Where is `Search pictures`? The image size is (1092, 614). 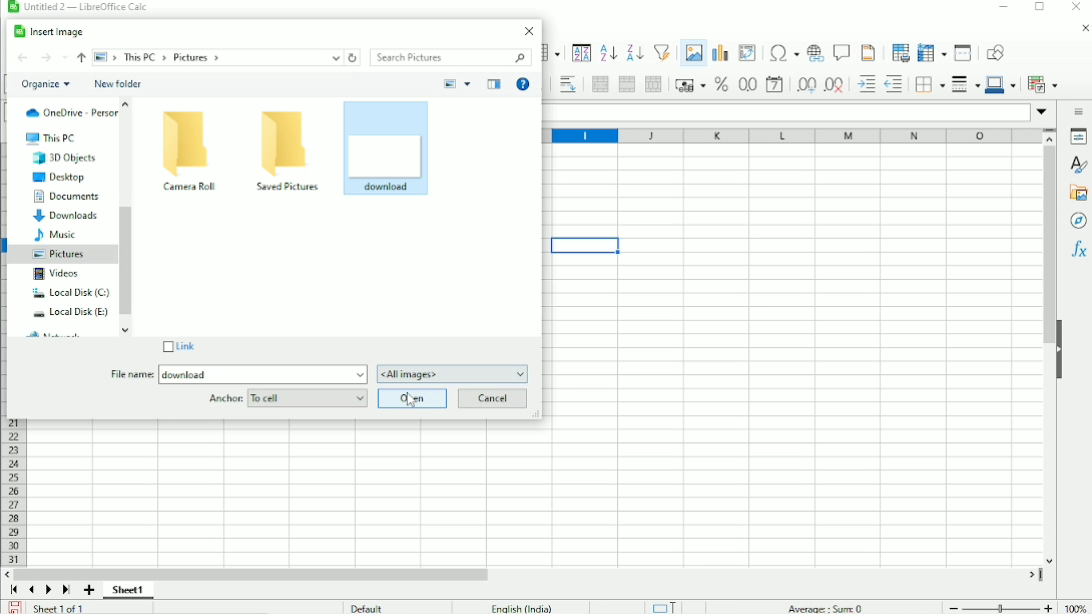
Search pictures is located at coordinates (452, 58).